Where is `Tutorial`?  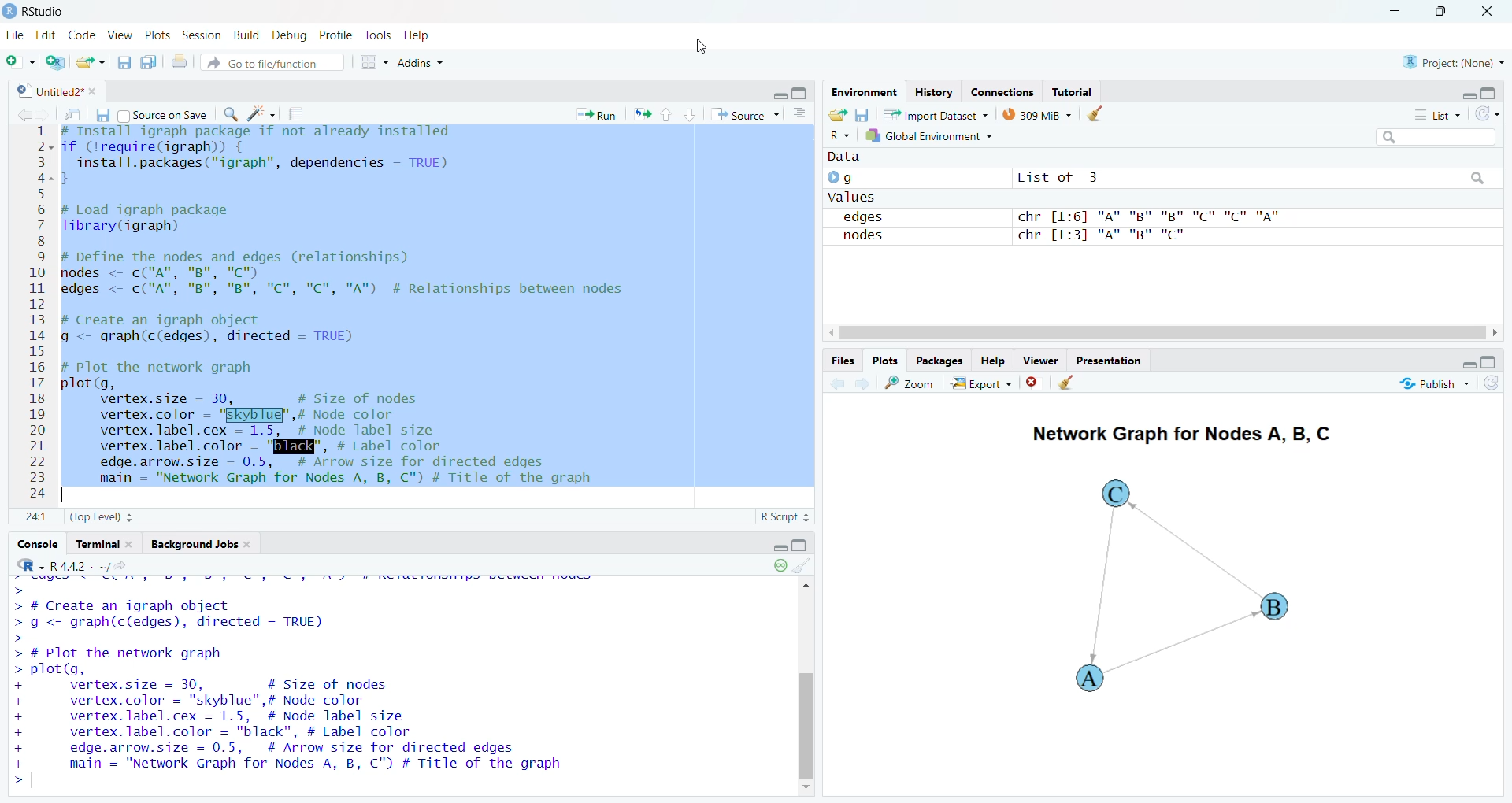 Tutorial is located at coordinates (1077, 90).